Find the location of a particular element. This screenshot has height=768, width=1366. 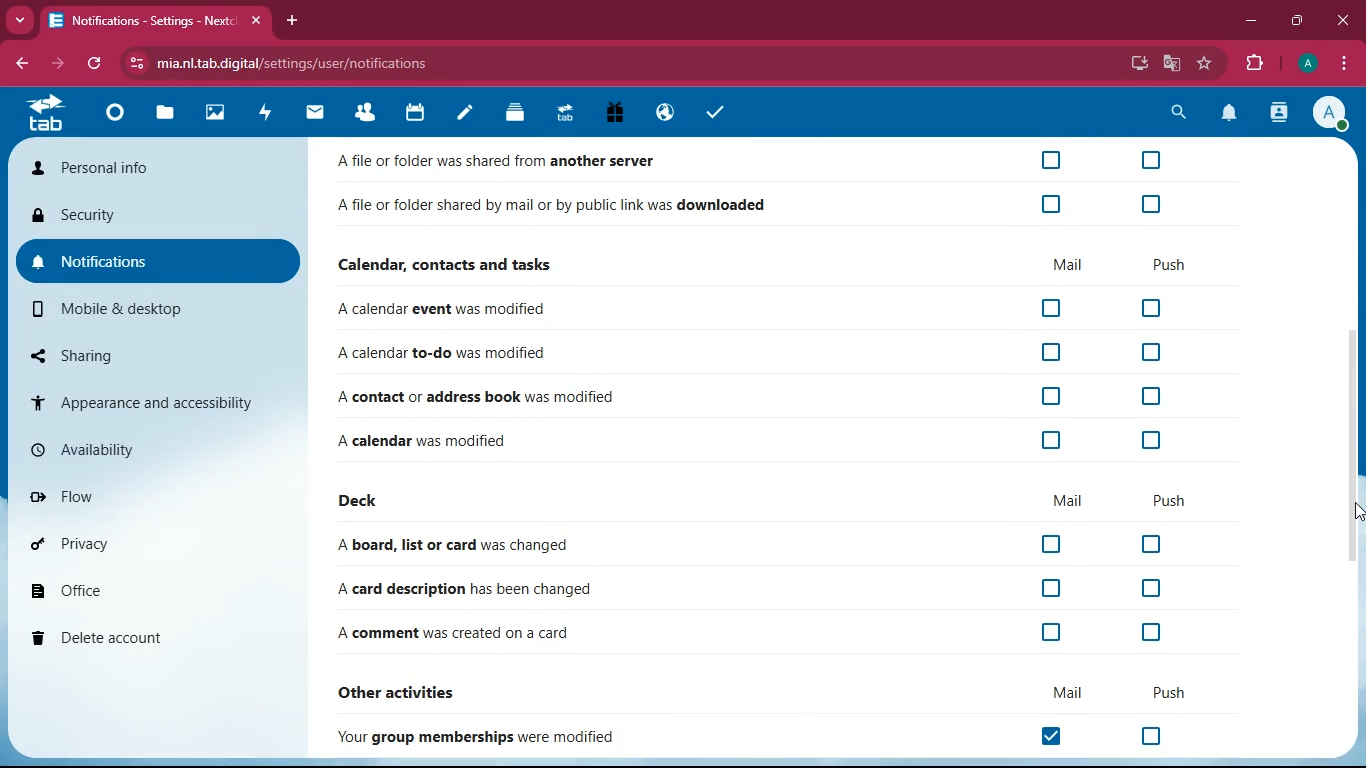

off is located at coordinates (1052, 309).